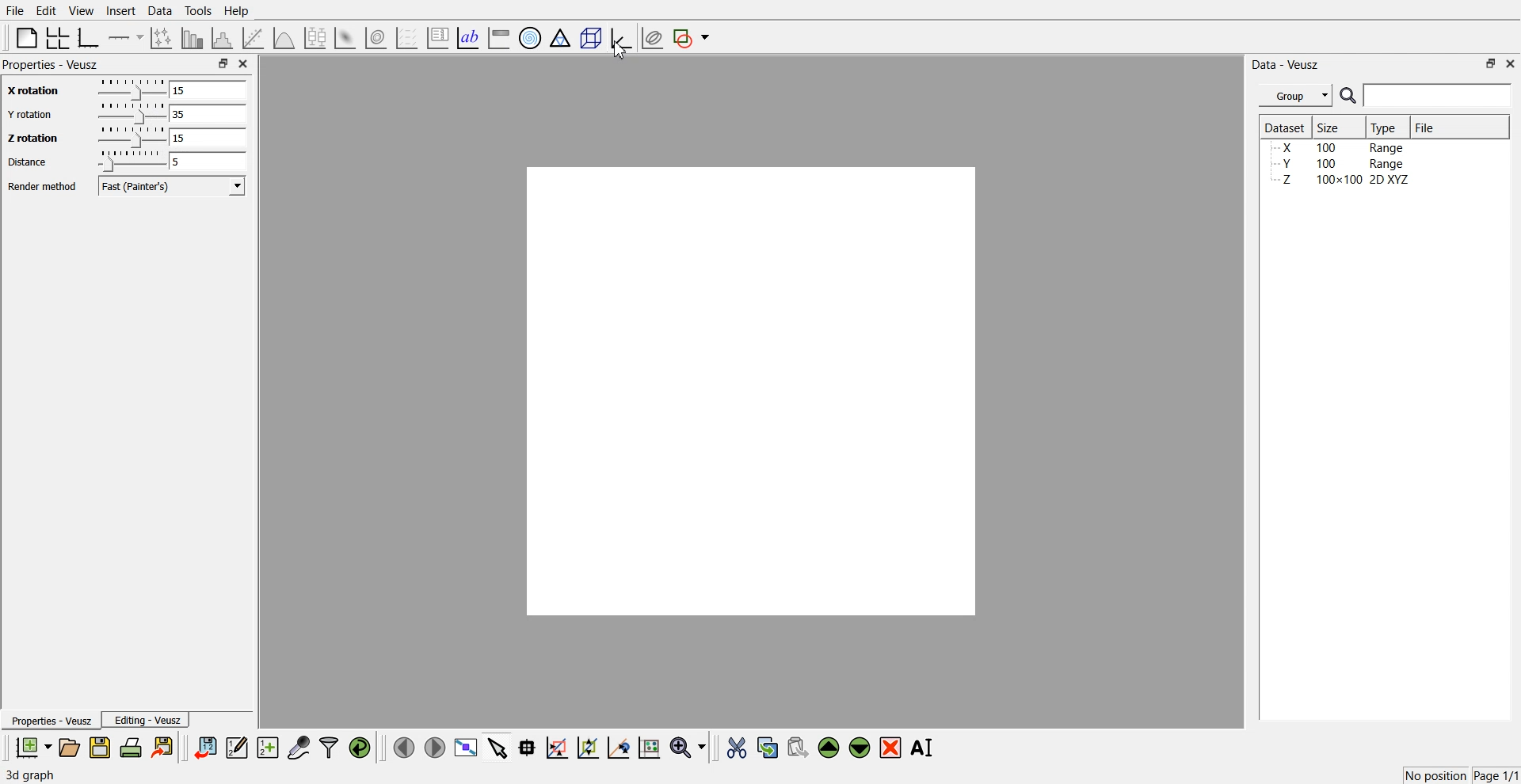 The width and height of the screenshot is (1521, 784). What do you see at coordinates (360, 748) in the screenshot?
I see `Reload linked dataset` at bounding box center [360, 748].